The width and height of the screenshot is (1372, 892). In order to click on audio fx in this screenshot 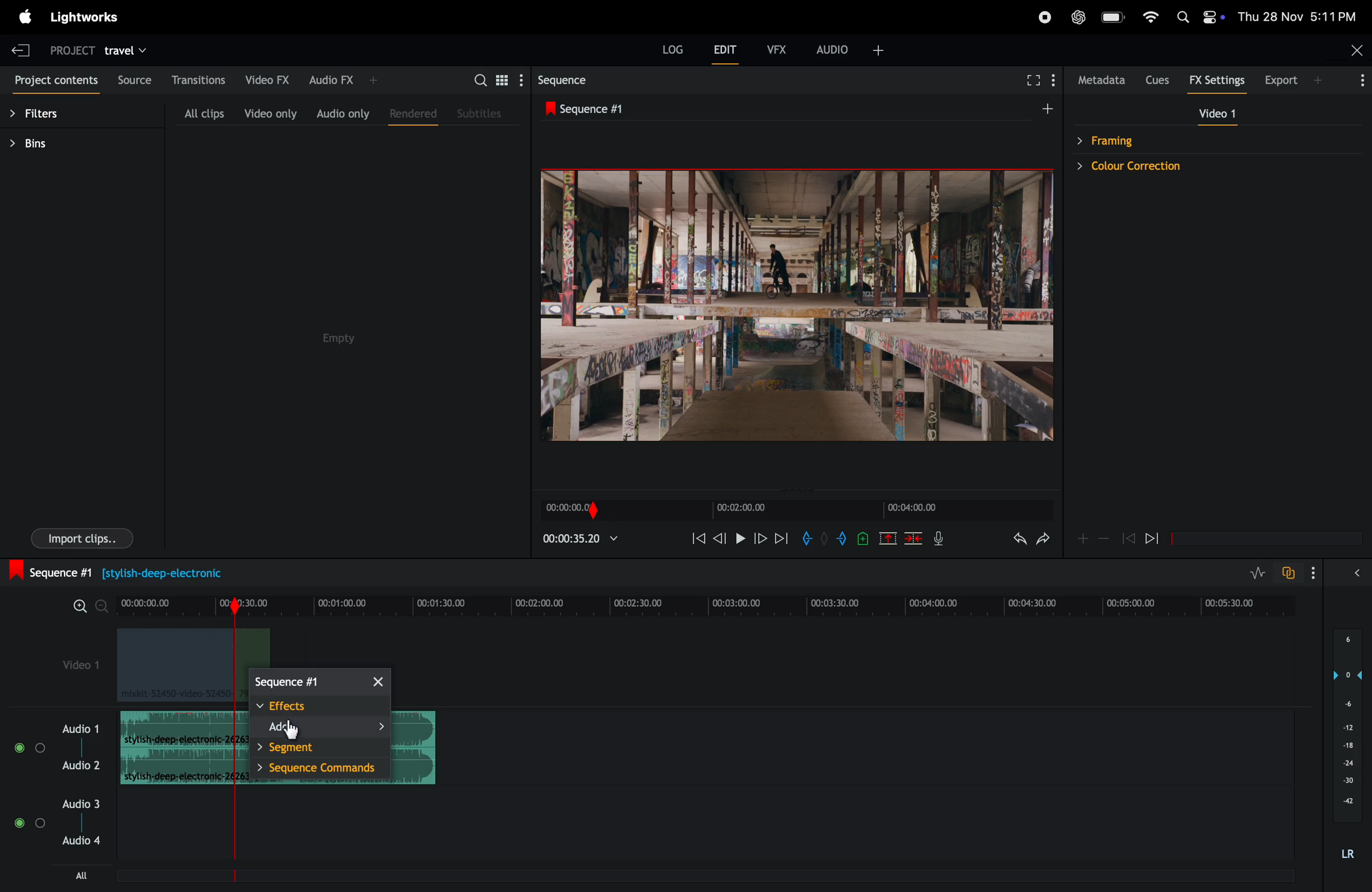, I will do `click(351, 77)`.